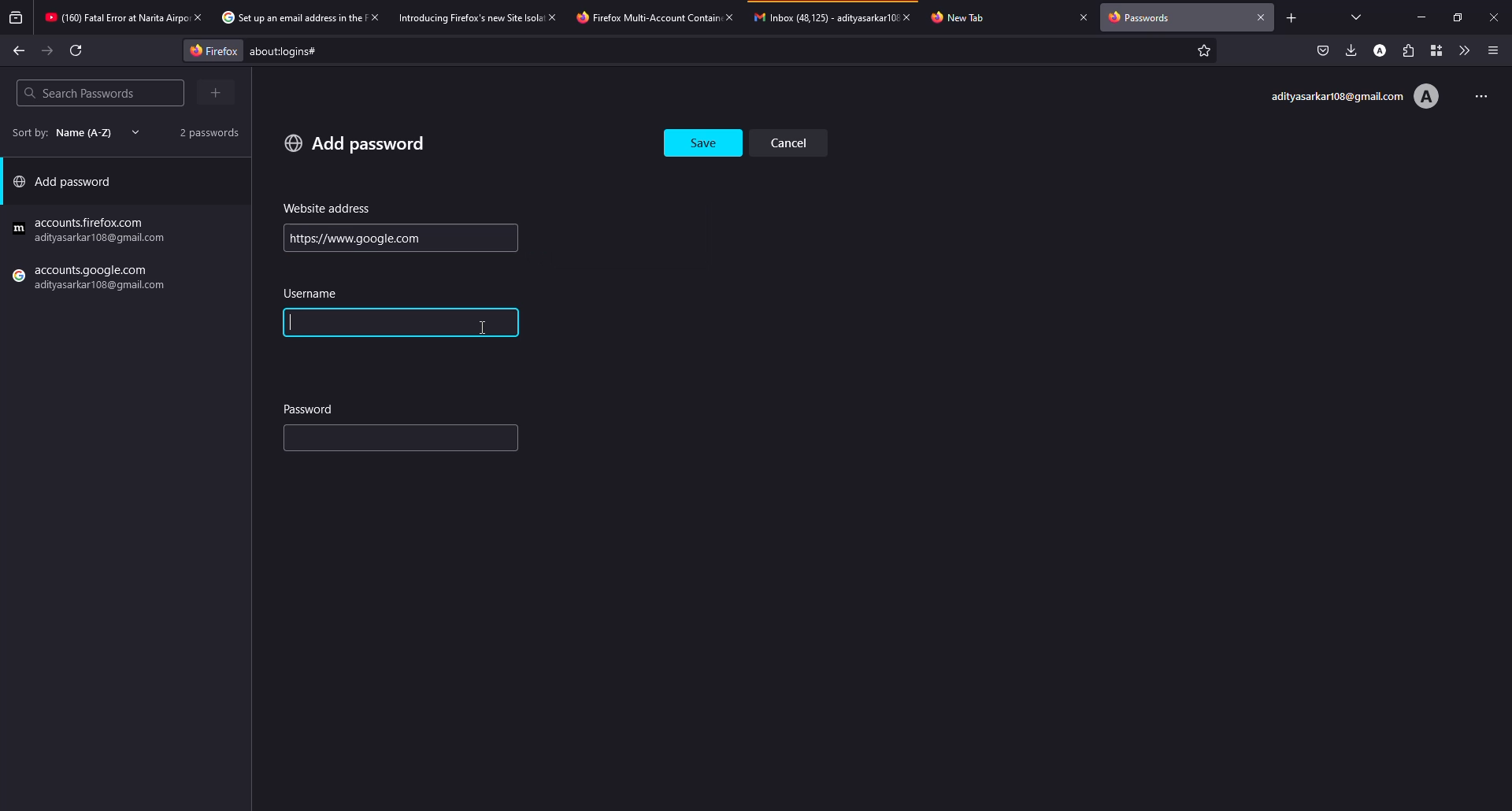 The width and height of the screenshot is (1512, 811). Describe the element at coordinates (824, 17) in the screenshot. I see `tab` at that location.